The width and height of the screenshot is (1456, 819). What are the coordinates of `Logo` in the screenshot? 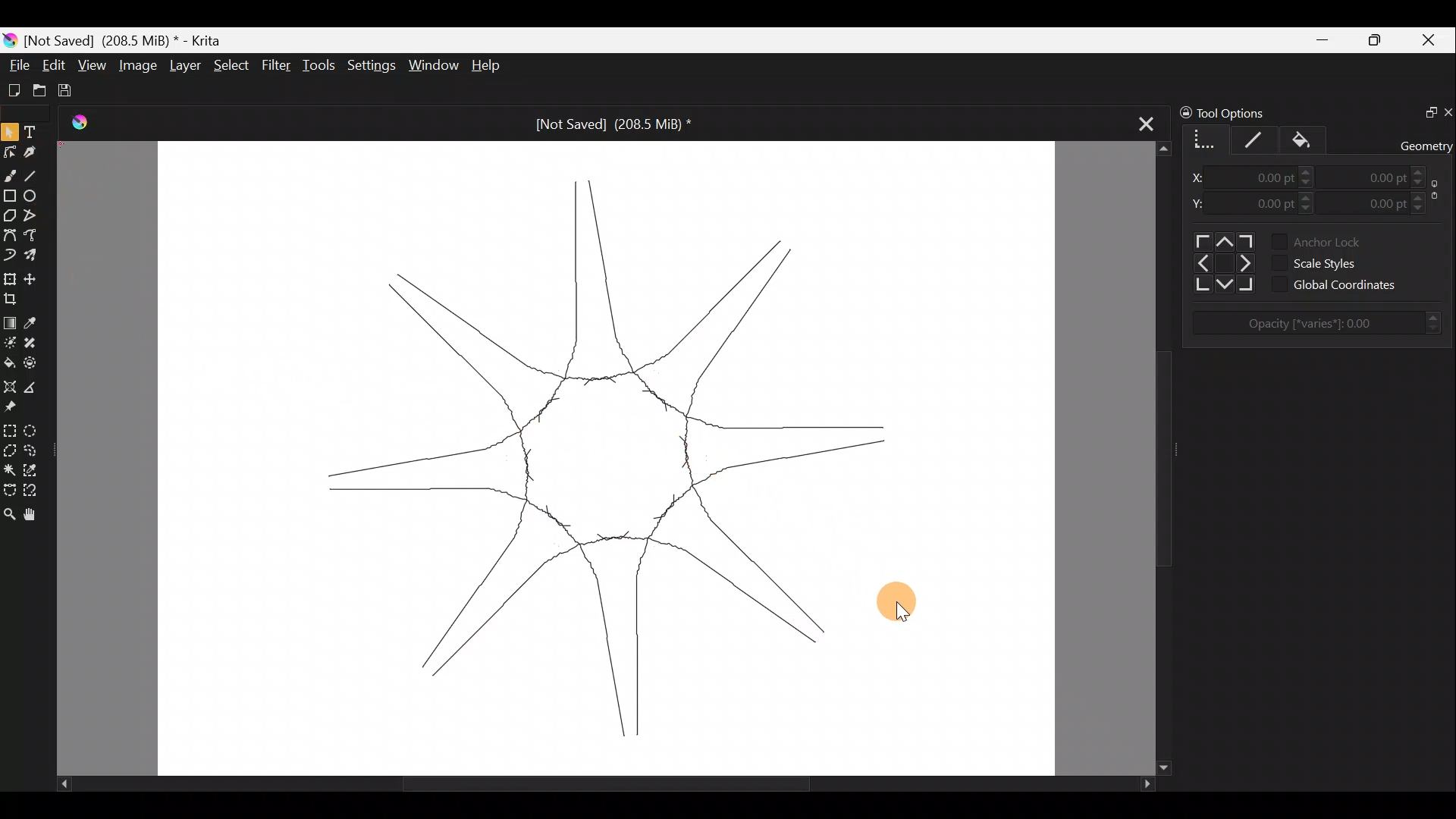 It's located at (86, 124).